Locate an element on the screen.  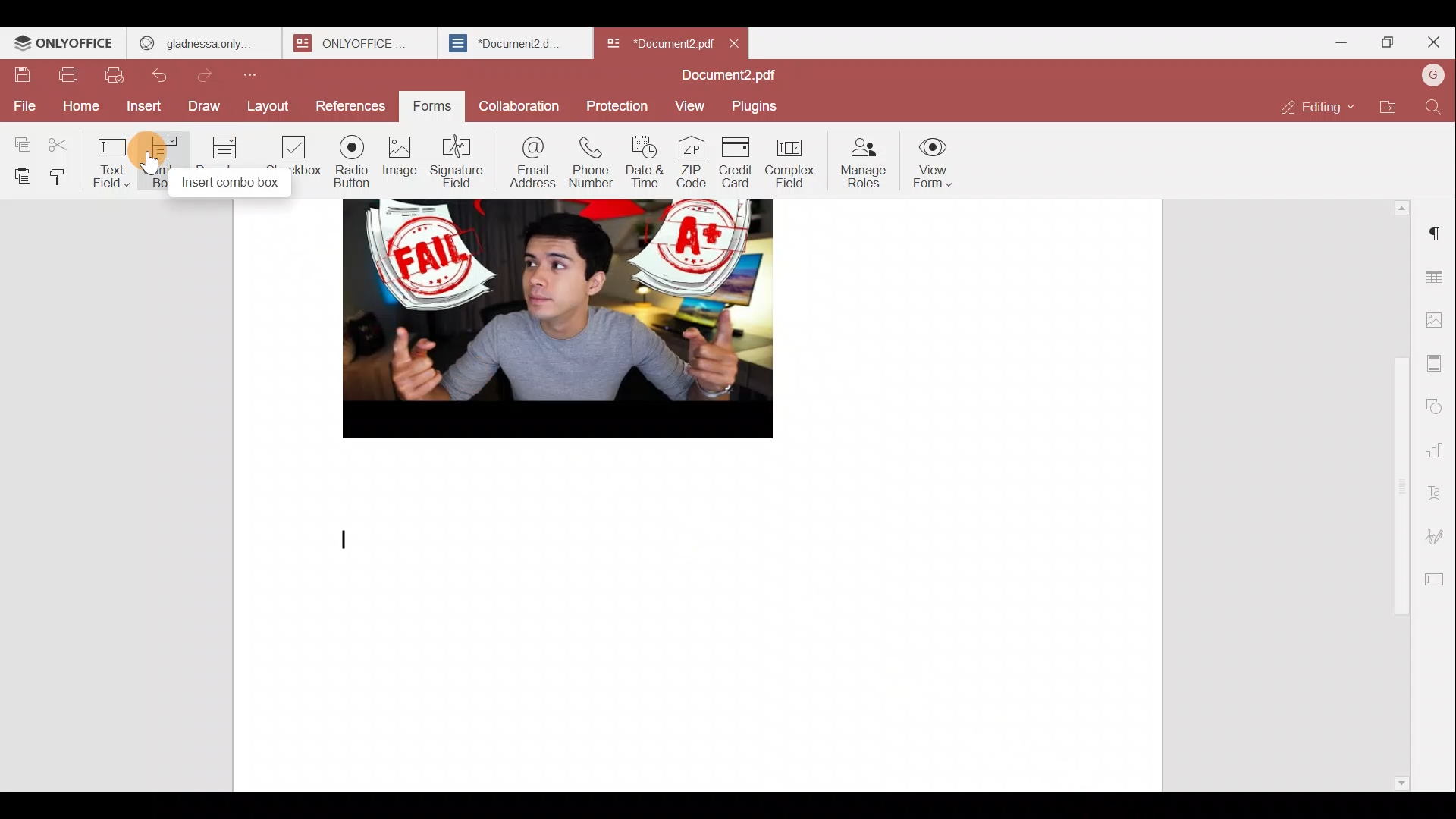
Form settings is located at coordinates (1437, 577).